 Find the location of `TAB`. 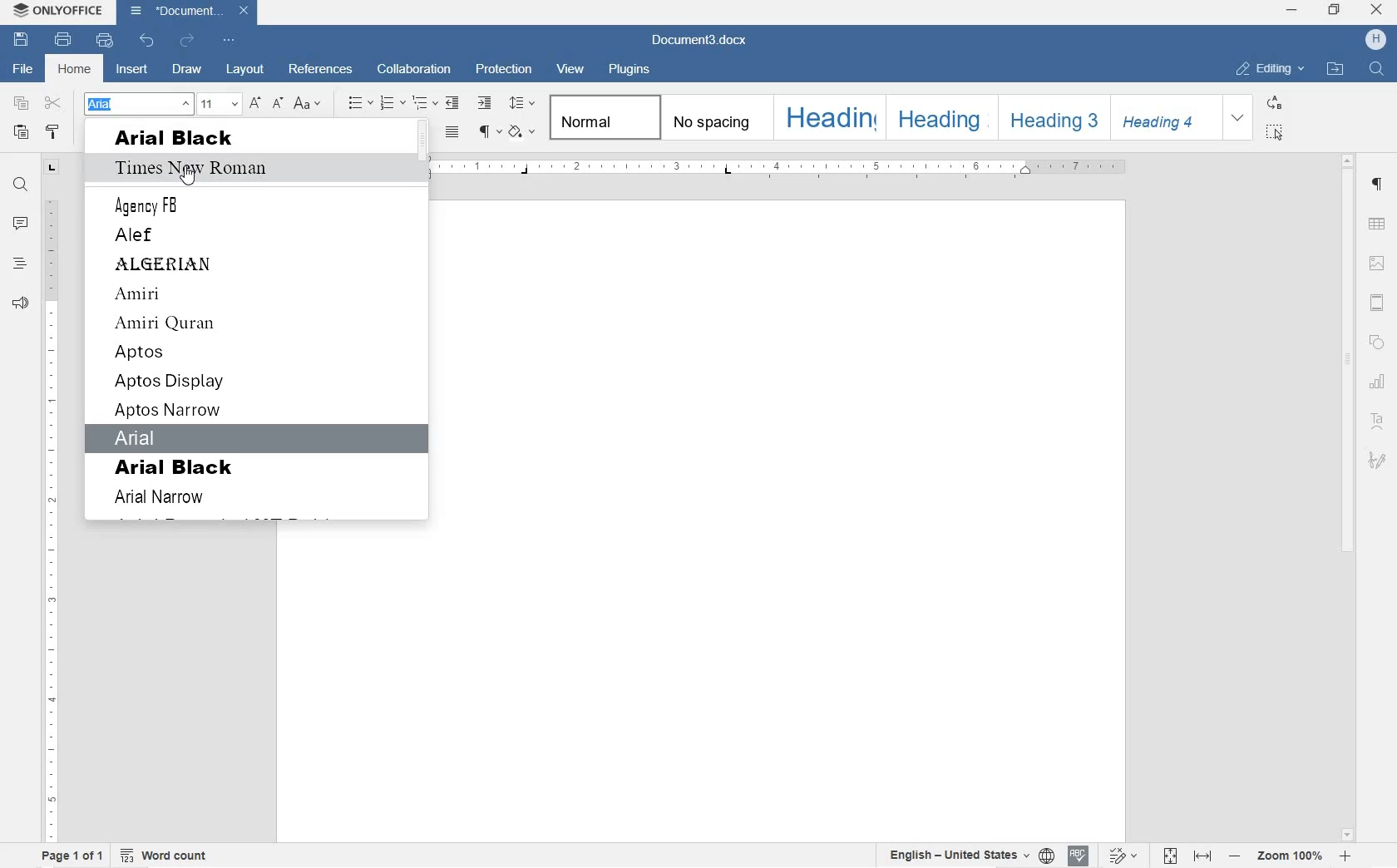

TAB is located at coordinates (52, 167).